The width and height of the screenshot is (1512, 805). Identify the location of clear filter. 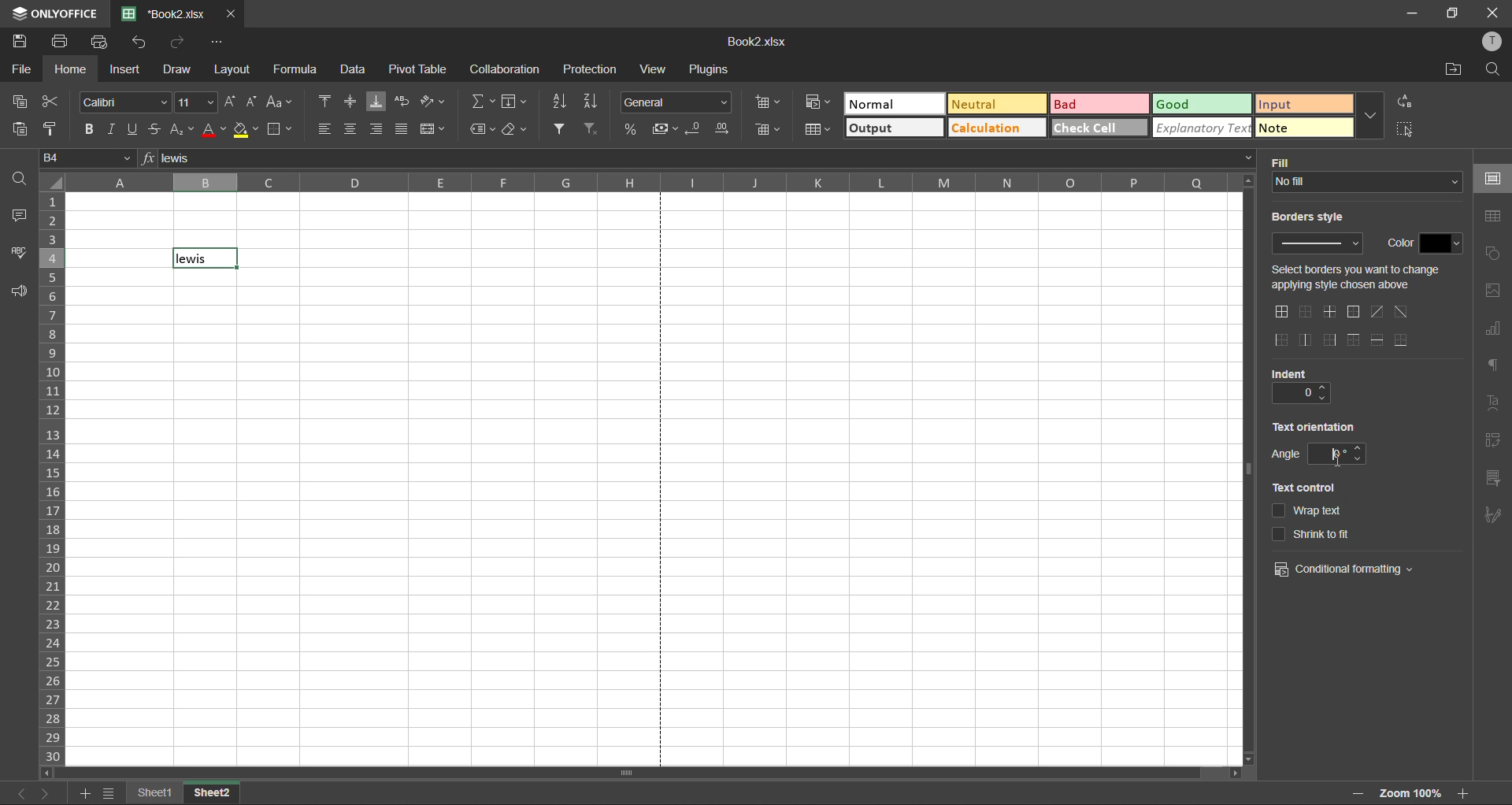
(591, 131).